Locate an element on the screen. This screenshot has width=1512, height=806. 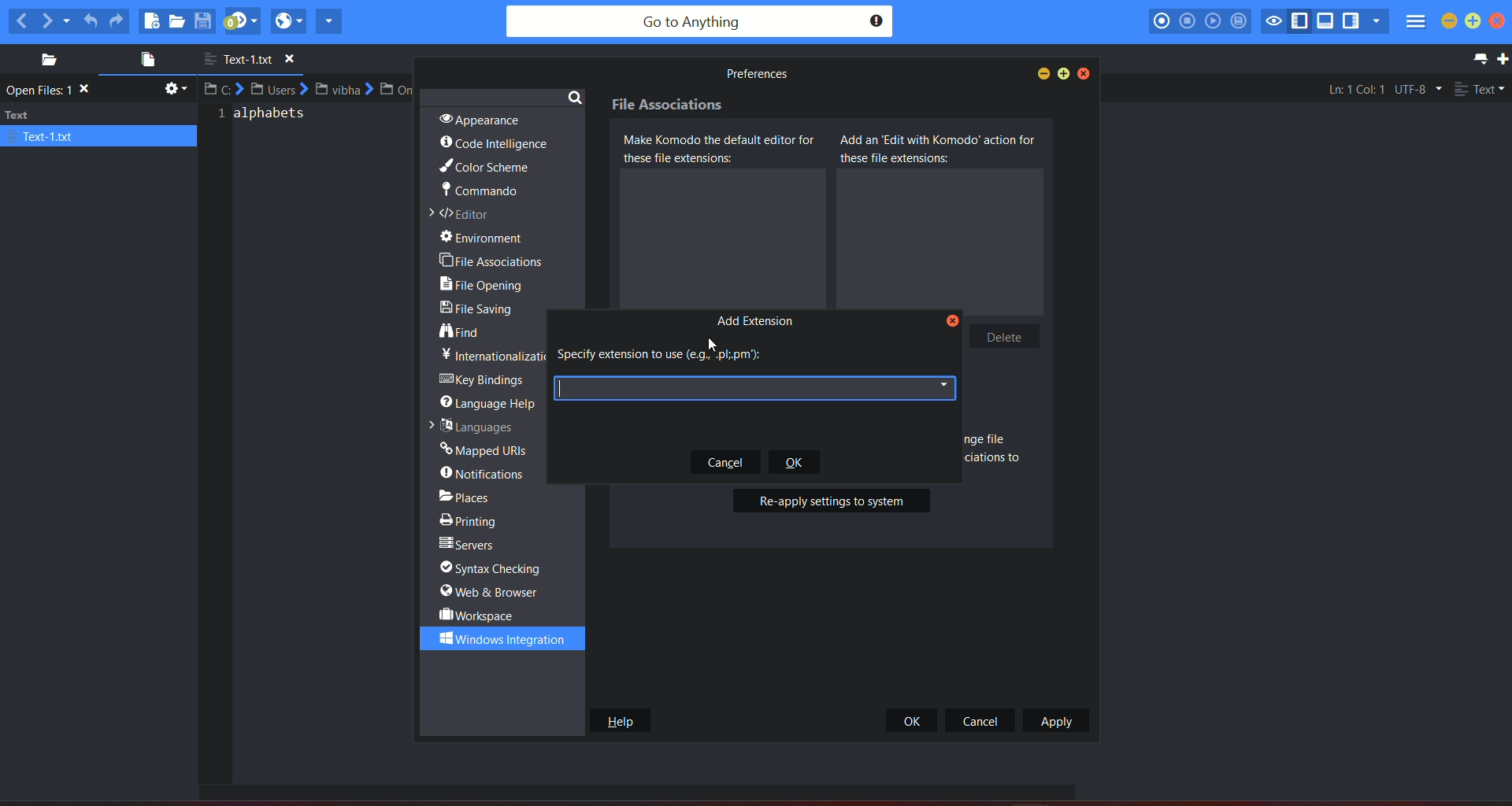
servers is located at coordinates (469, 545).